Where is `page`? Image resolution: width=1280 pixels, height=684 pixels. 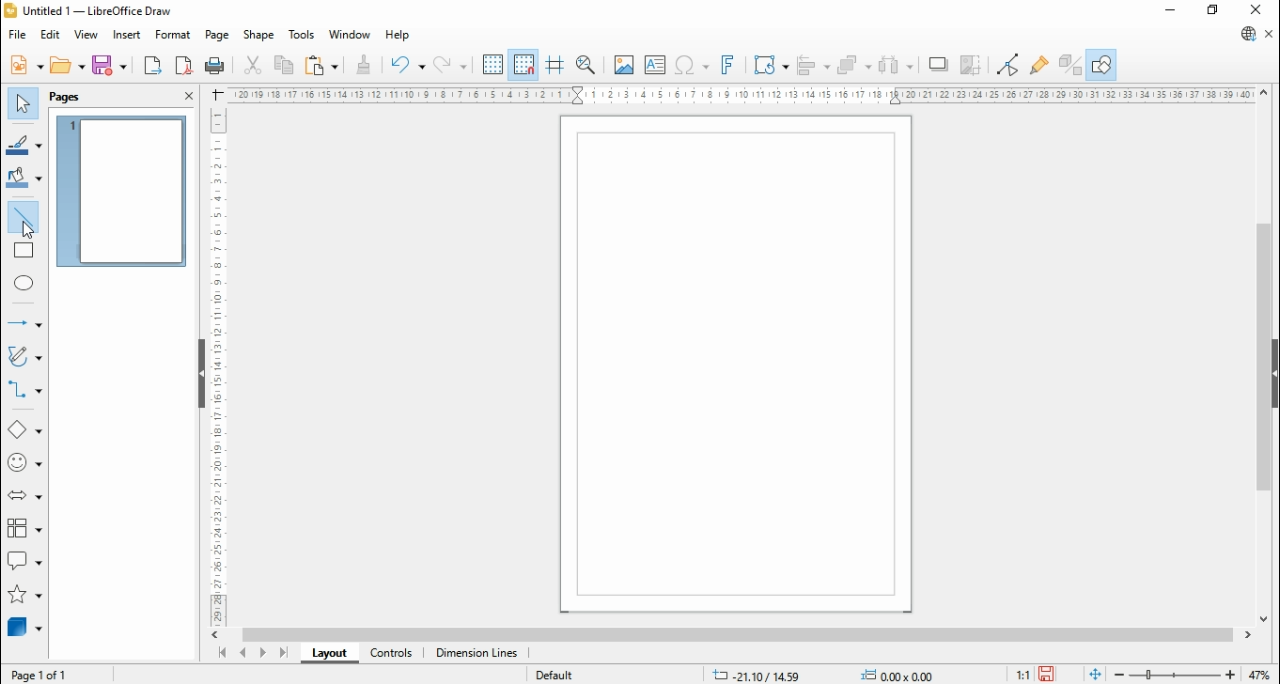 page is located at coordinates (215, 35).